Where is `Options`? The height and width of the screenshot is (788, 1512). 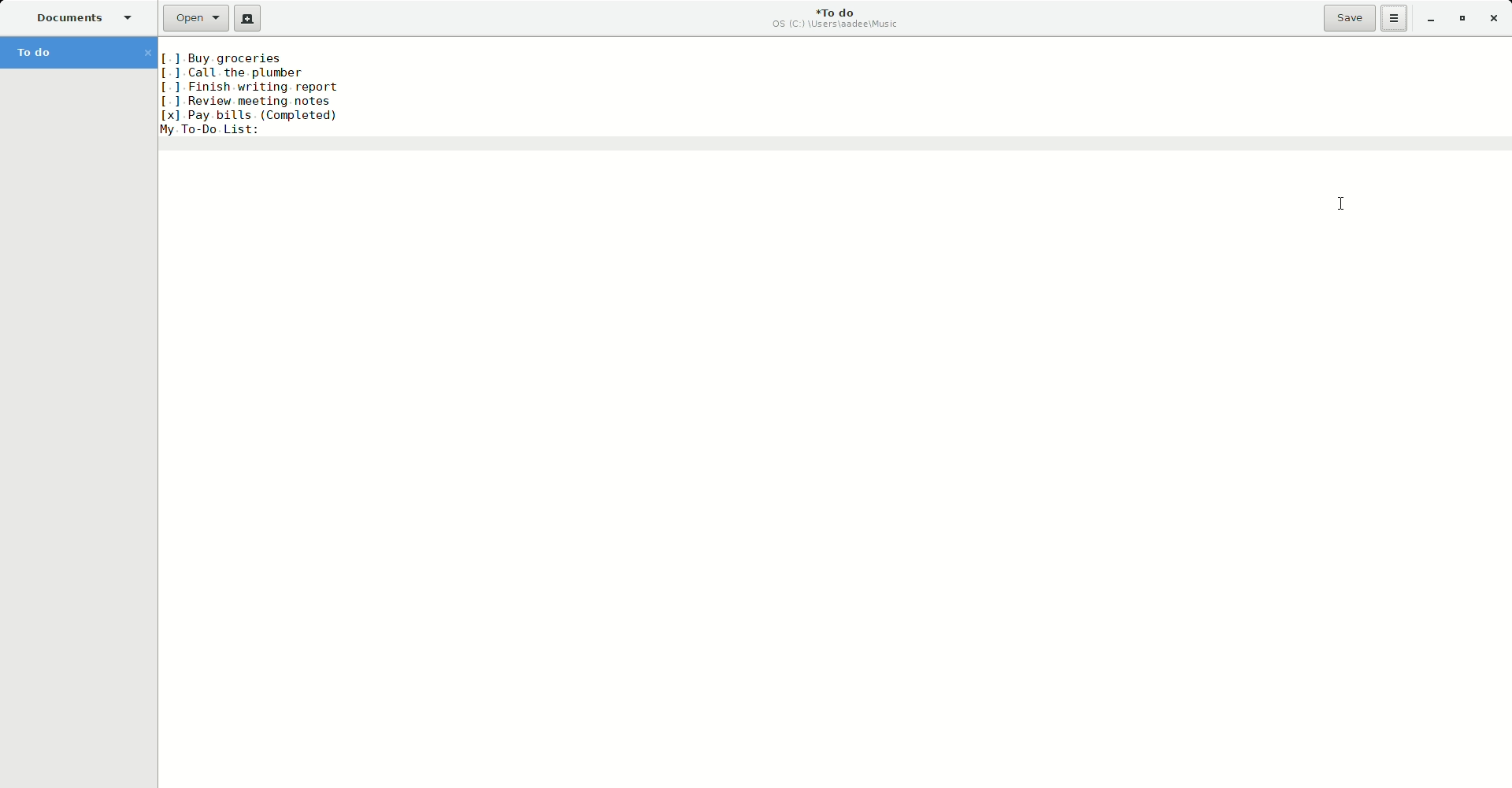 Options is located at coordinates (1395, 19).